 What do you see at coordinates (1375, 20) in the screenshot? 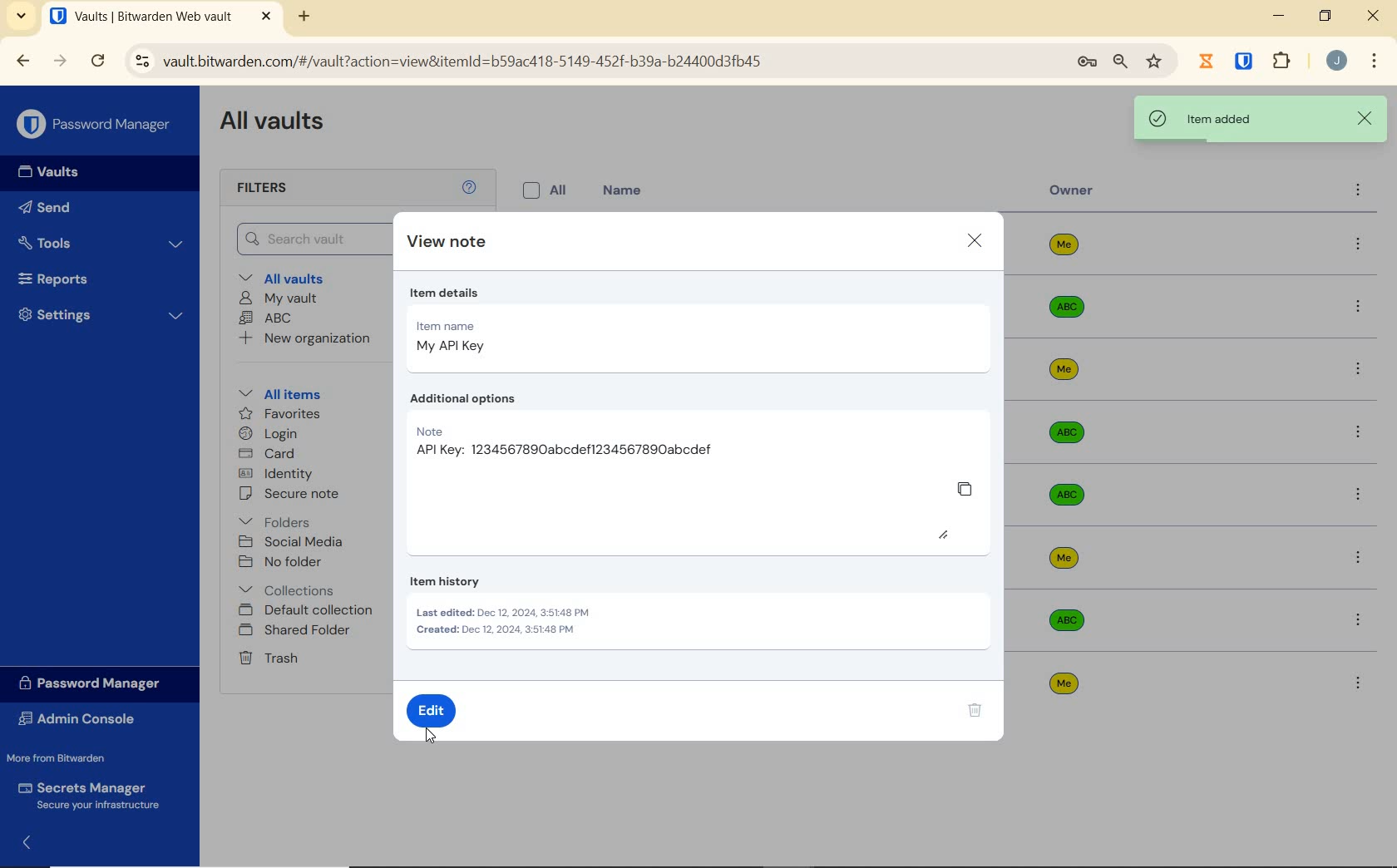
I see `CLOSE` at bounding box center [1375, 20].